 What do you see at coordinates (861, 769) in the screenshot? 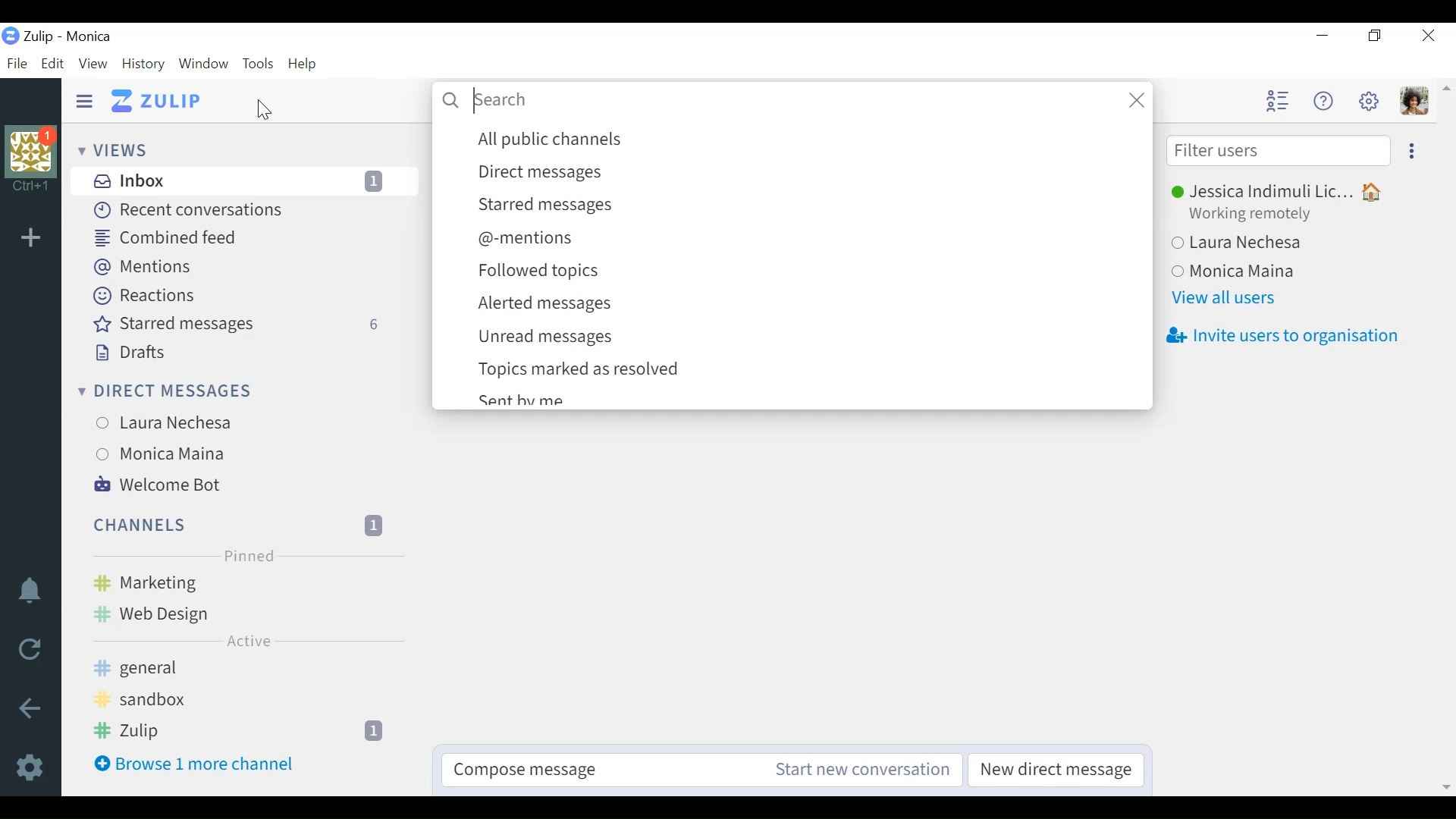
I see `Start new conversation` at bounding box center [861, 769].